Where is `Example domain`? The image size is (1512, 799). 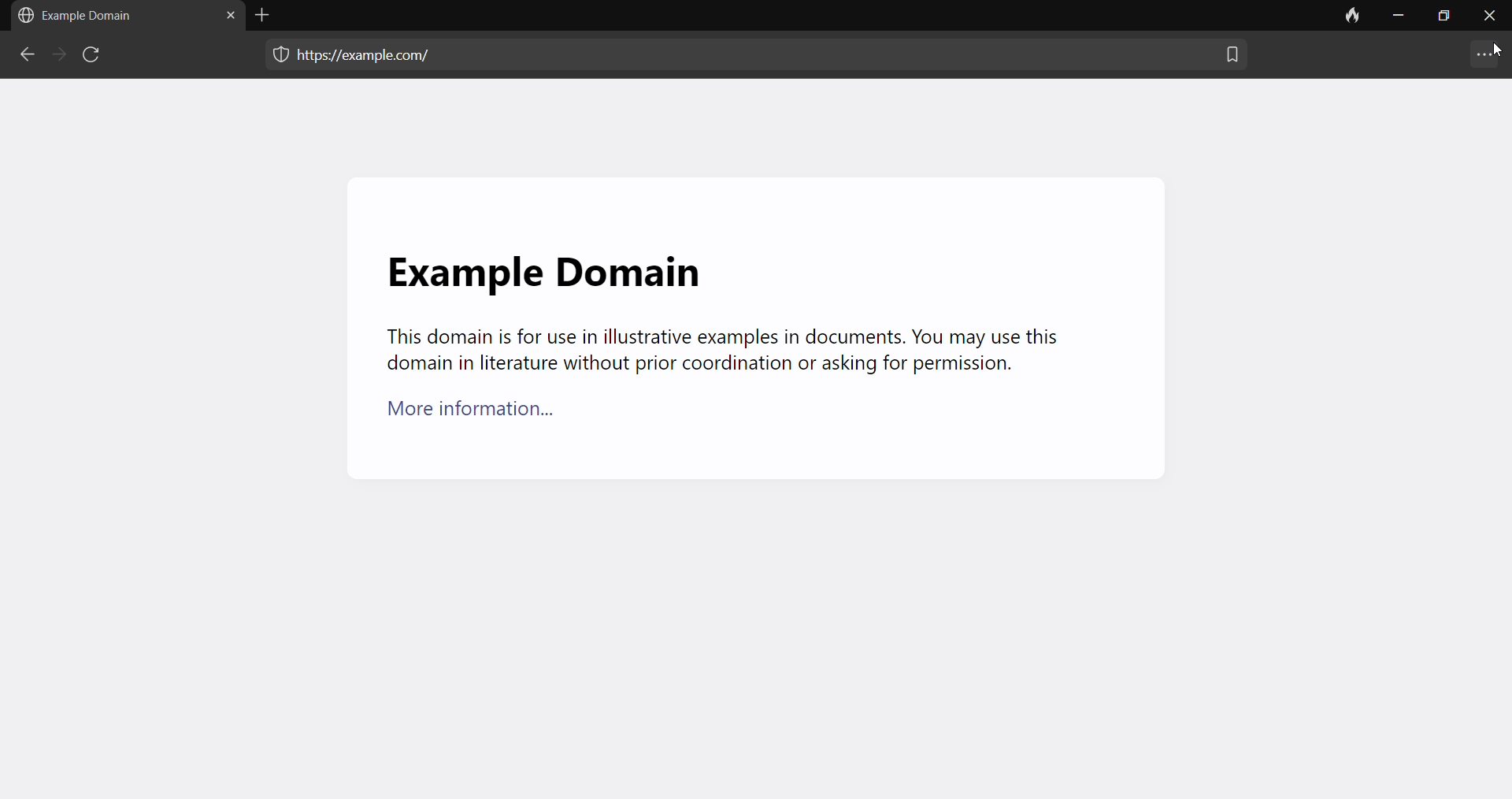
Example domain is located at coordinates (81, 16).